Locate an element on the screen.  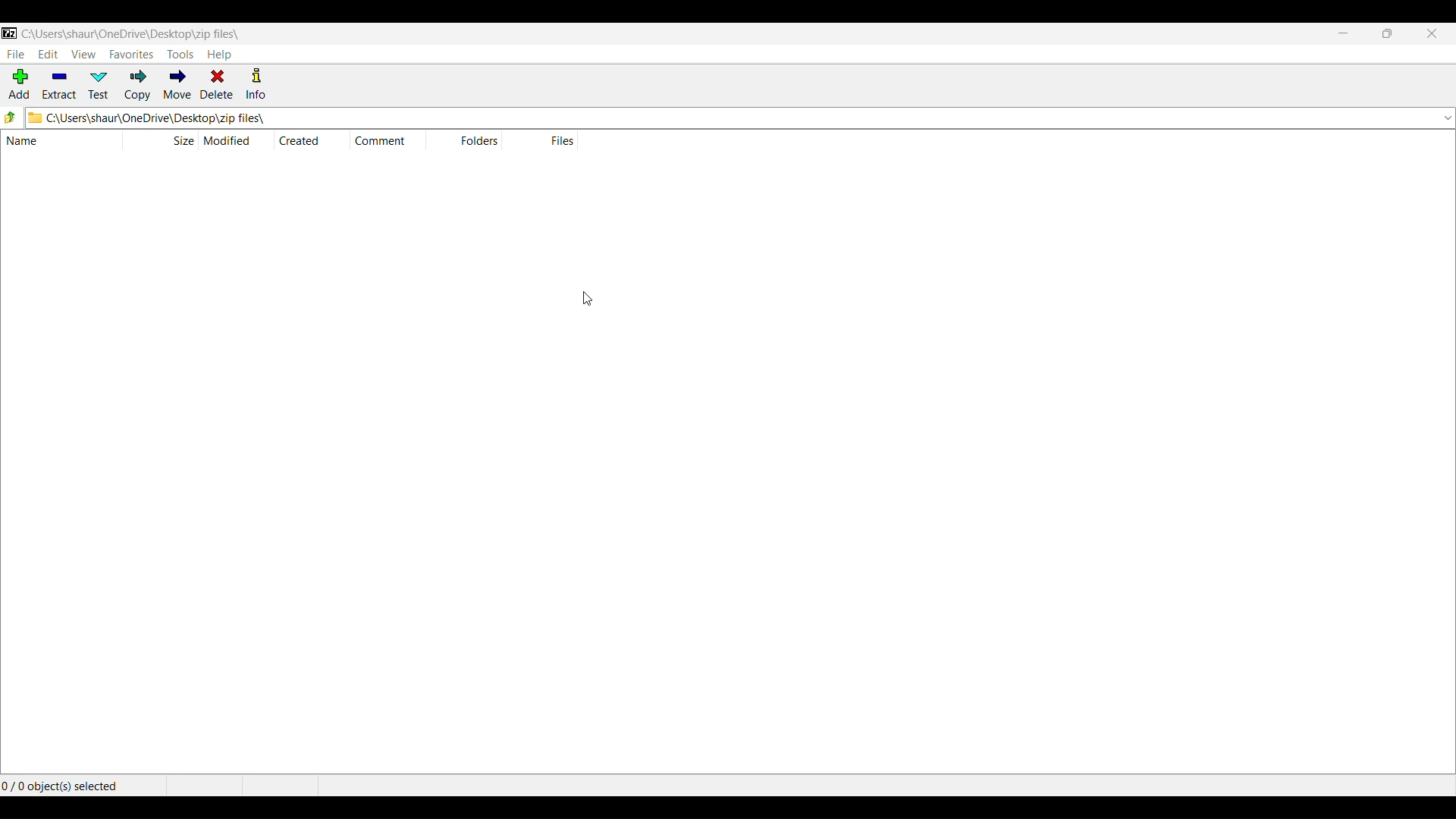
CURRENT FOLDER PATH is located at coordinates (721, 118).